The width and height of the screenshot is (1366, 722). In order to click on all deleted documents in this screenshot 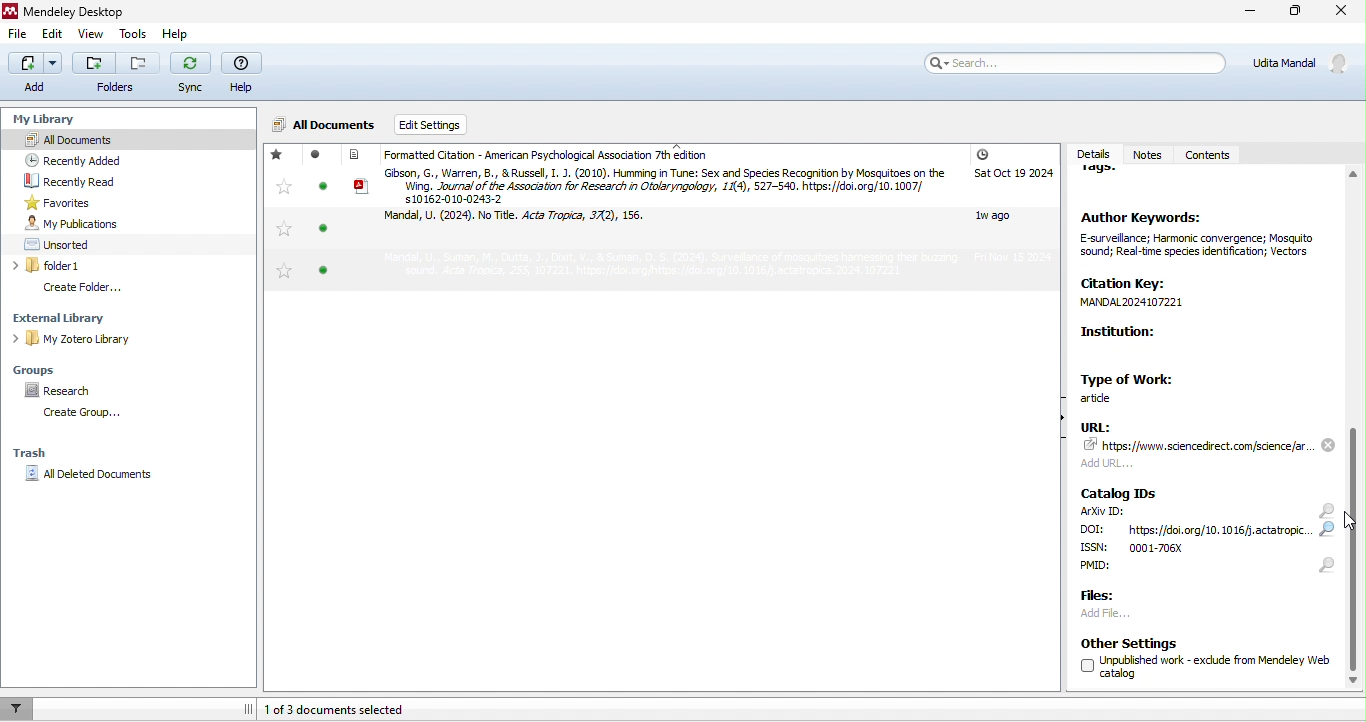, I will do `click(100, 477)`.